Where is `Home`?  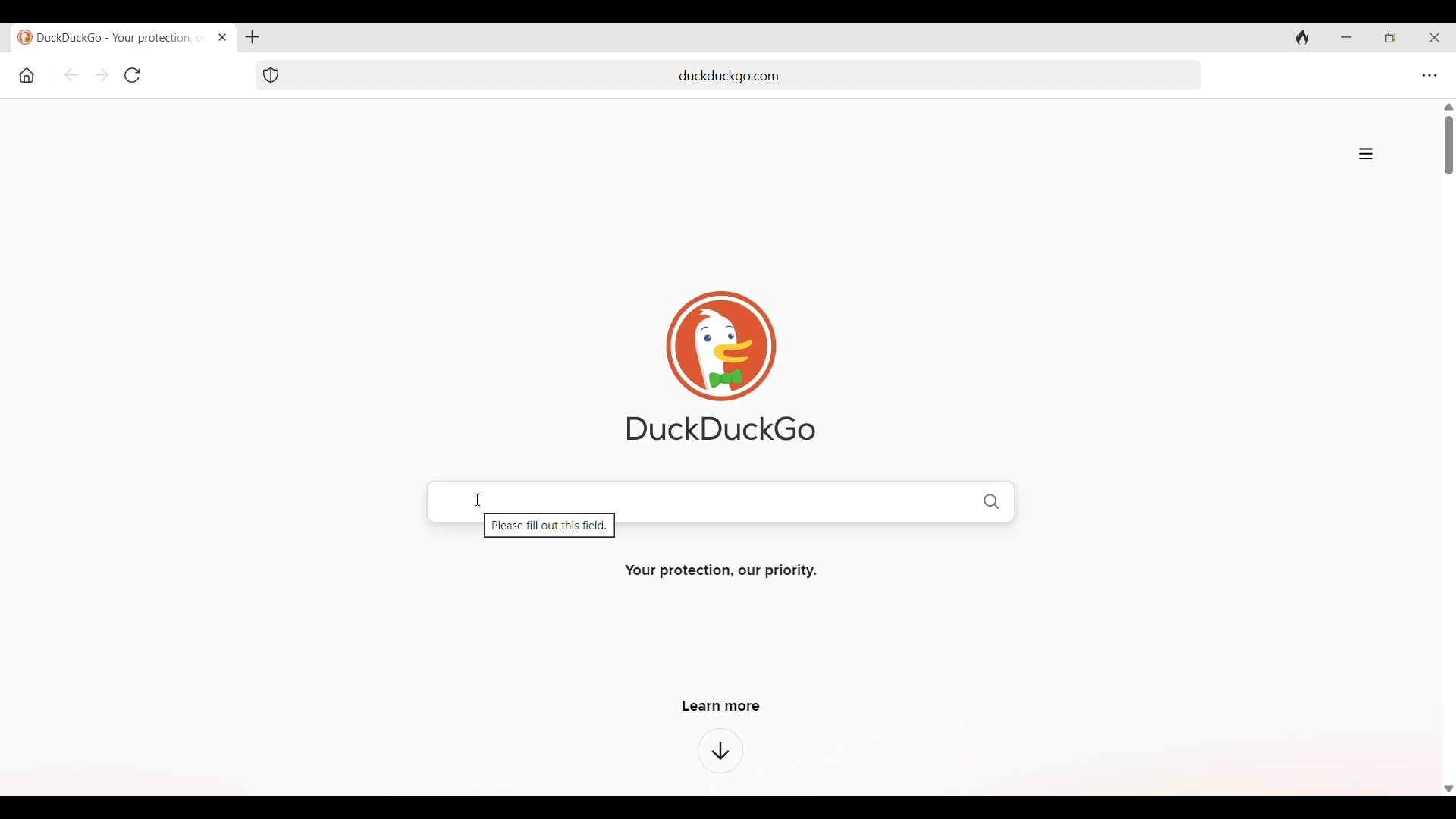
Home is located at coordinates (27, 76).